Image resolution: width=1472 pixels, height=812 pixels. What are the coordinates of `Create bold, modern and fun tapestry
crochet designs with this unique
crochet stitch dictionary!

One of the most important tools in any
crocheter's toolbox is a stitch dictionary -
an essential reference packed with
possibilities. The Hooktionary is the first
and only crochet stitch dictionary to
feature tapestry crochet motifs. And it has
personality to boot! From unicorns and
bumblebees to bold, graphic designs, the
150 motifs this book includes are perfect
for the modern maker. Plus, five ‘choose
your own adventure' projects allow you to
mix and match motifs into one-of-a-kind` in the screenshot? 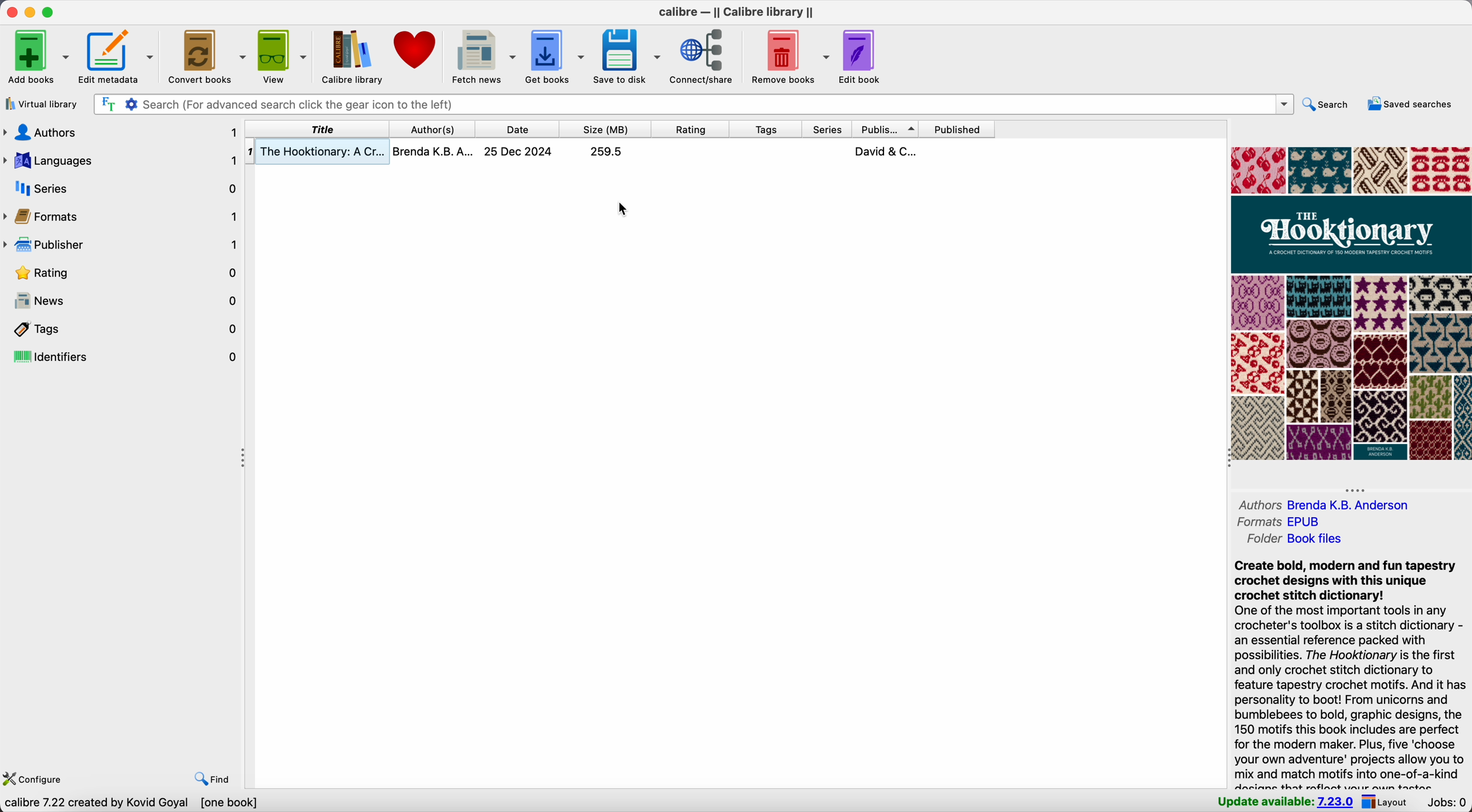 It's located at (1350, 670).